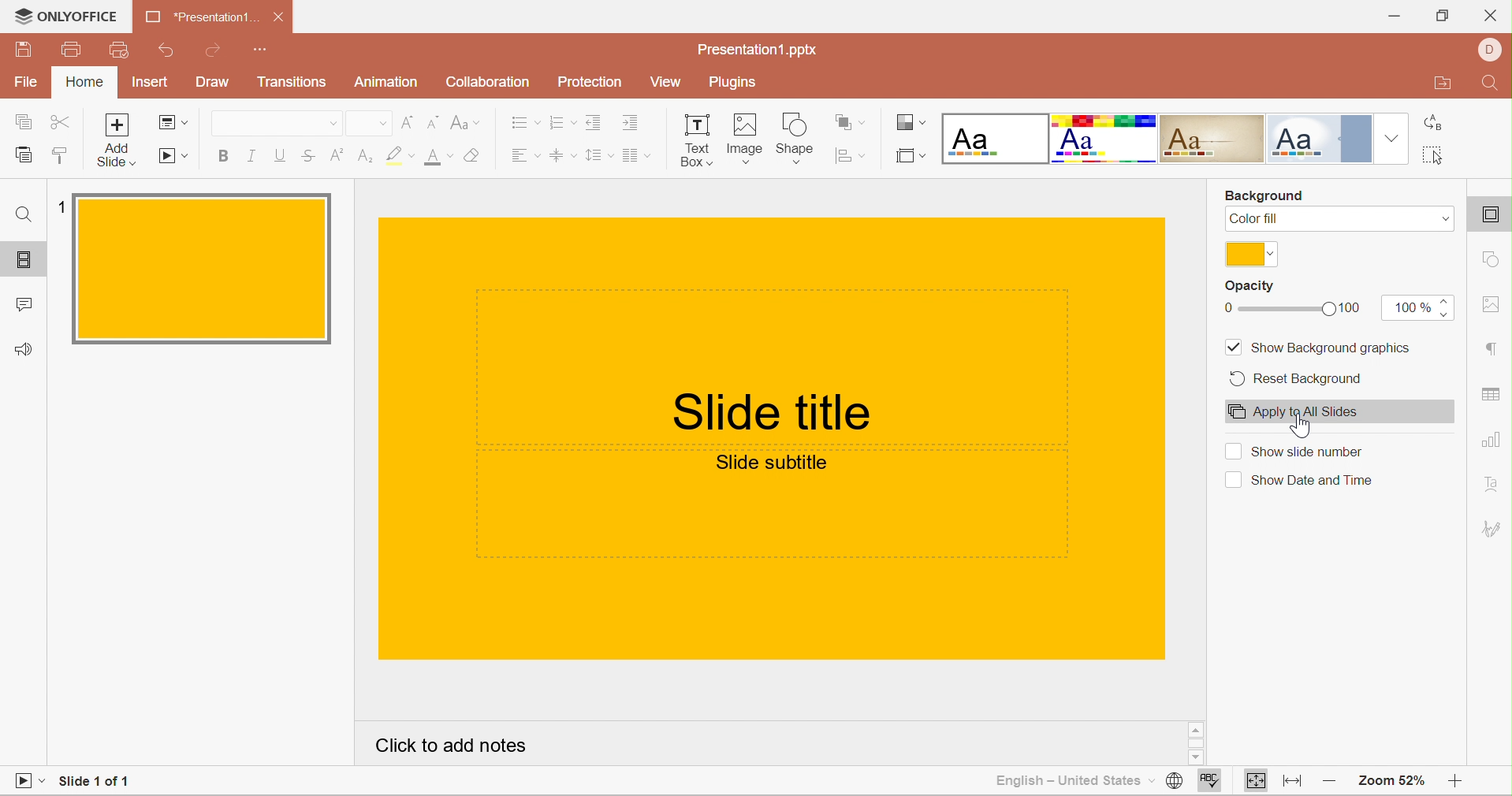 The height and width of the screenshot is (796, 1512). Describe the element at coordinates (390, 84) in the screenshot. I see `Animation` at that location.